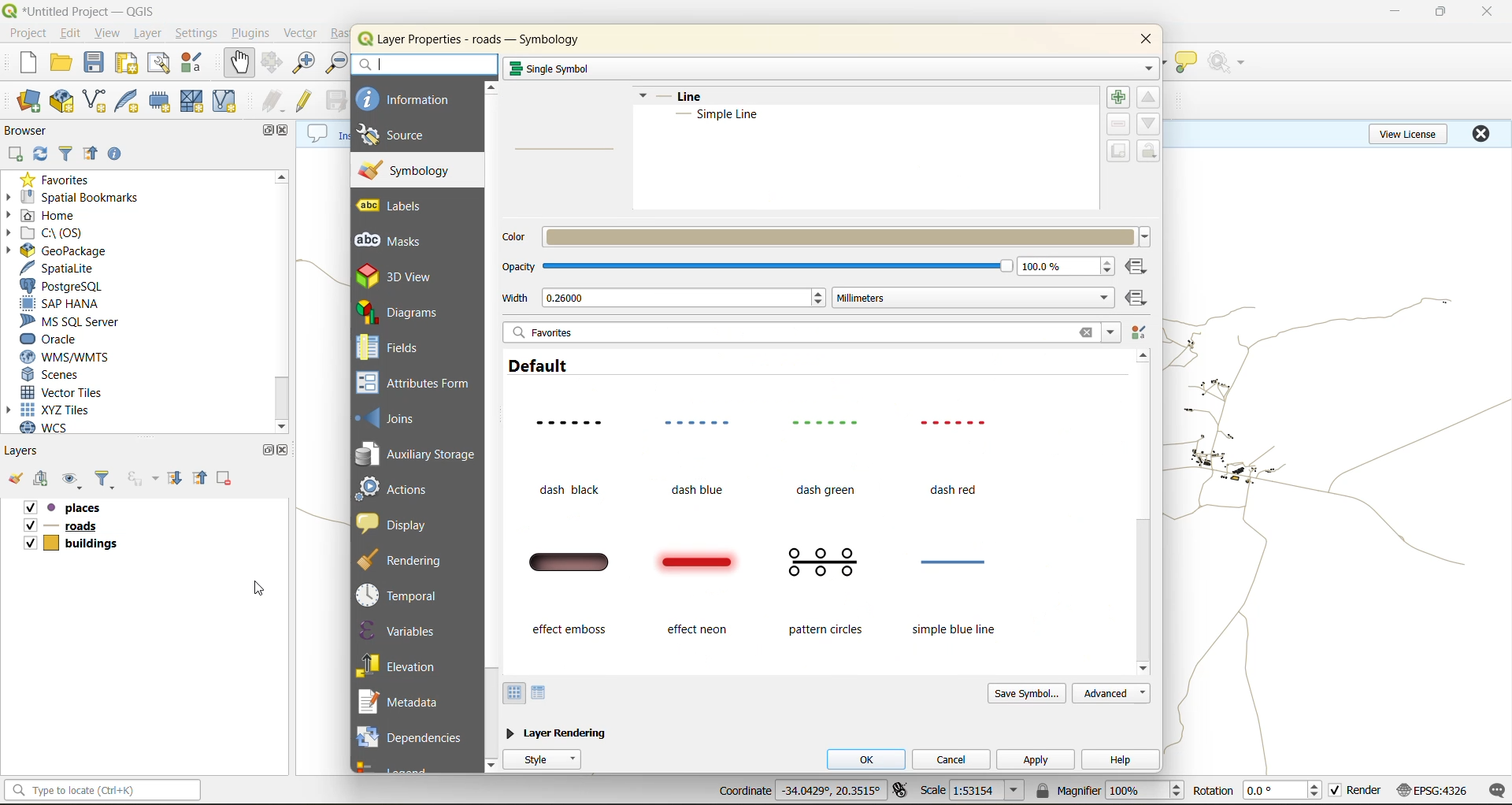  Describe the element at coordinates (79, 321) in the screenshot. I see `ms sql server` at that location.